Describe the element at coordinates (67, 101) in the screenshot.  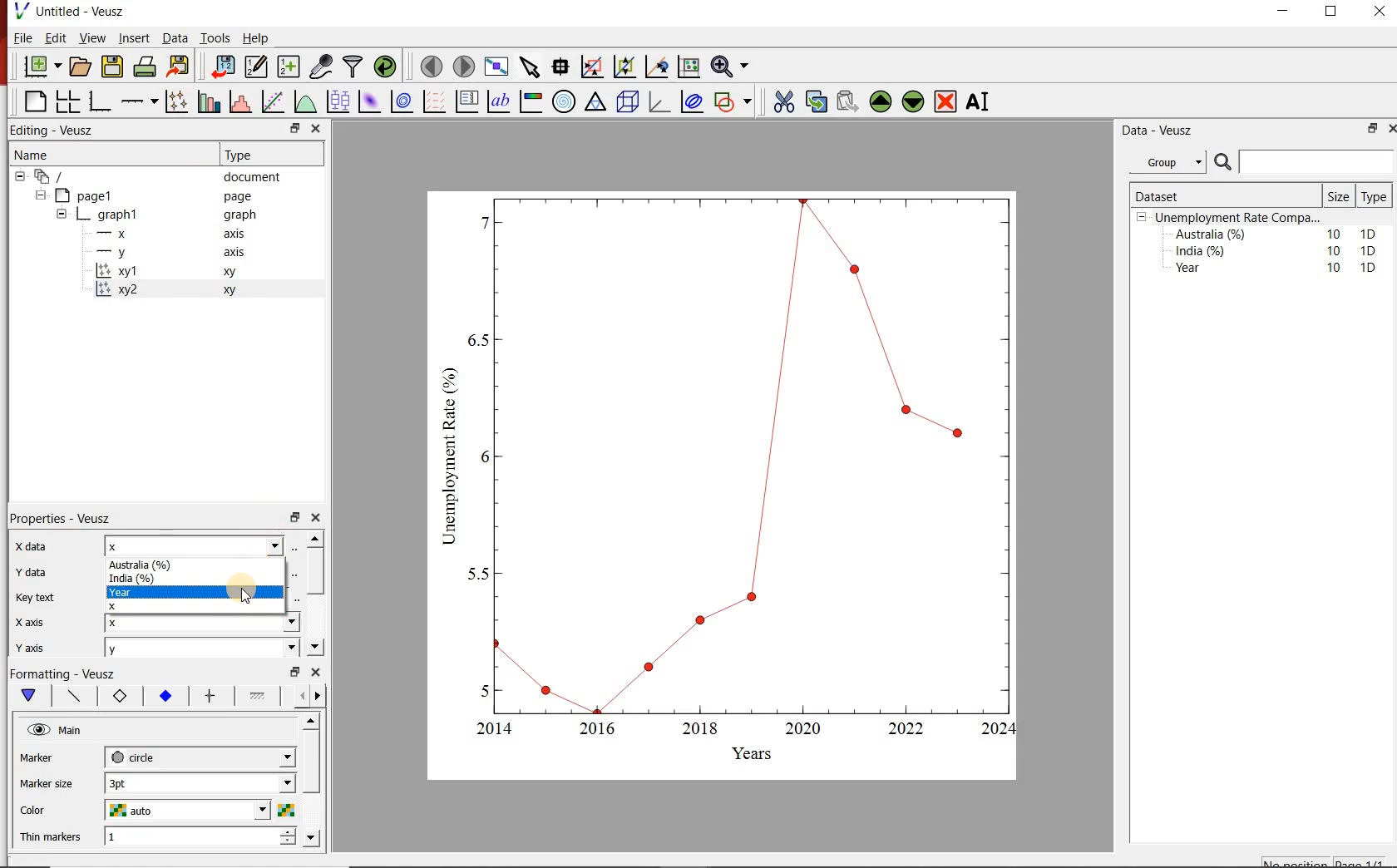
I see `arrange graphs` at that location.